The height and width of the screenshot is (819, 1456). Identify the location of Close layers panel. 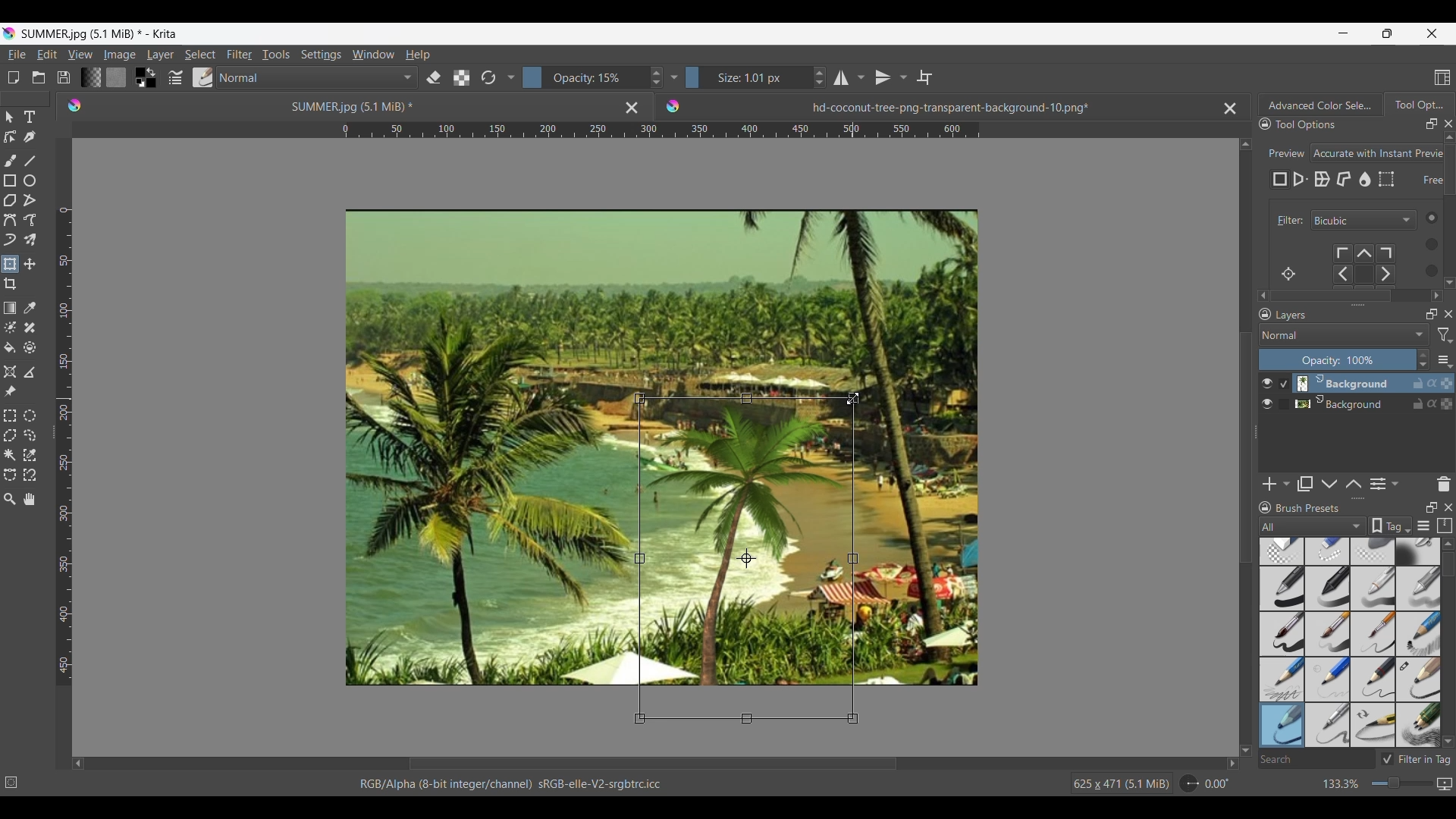
(1448, 314).